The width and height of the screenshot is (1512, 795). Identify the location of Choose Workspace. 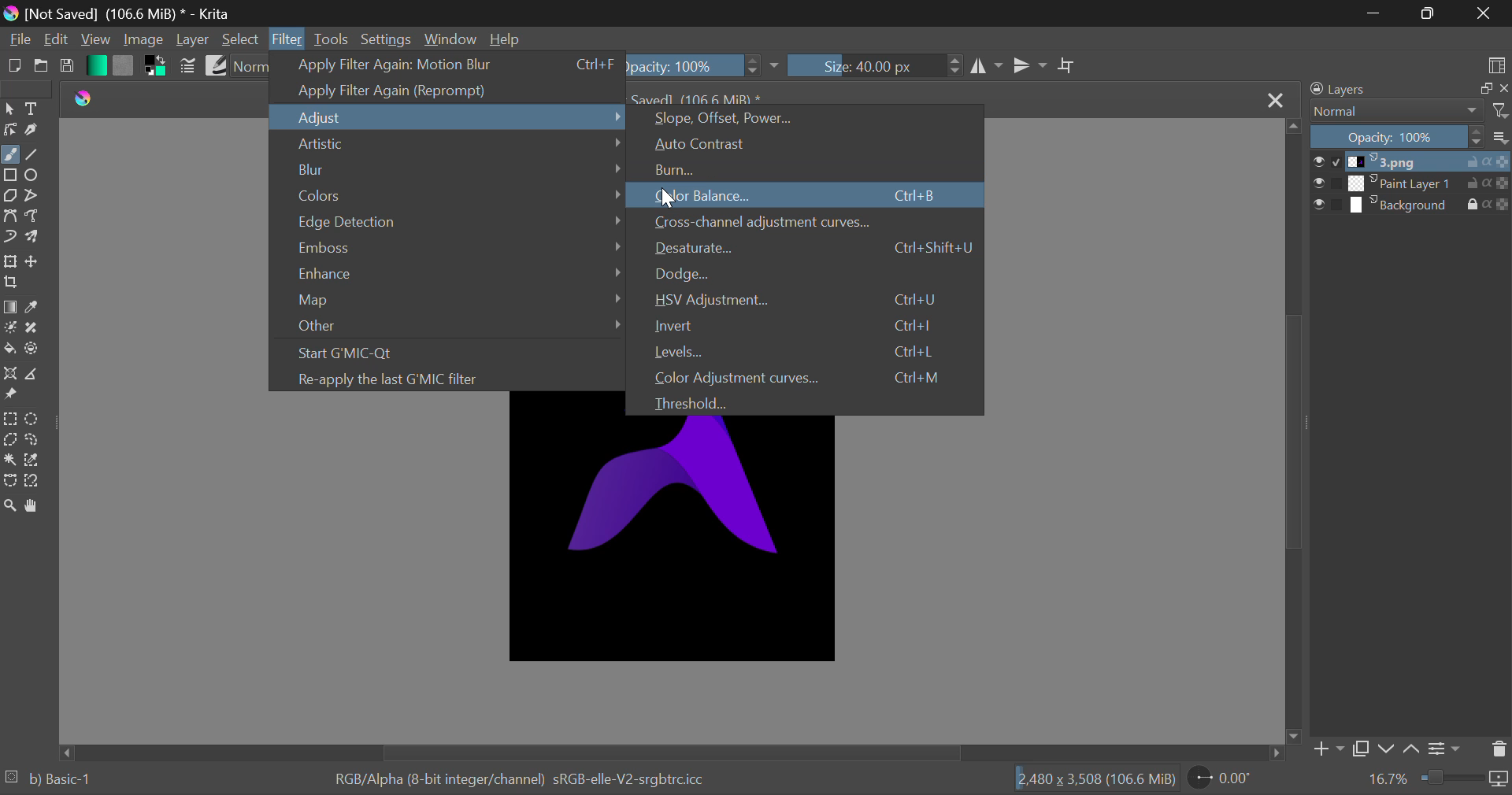
(1498, 64).